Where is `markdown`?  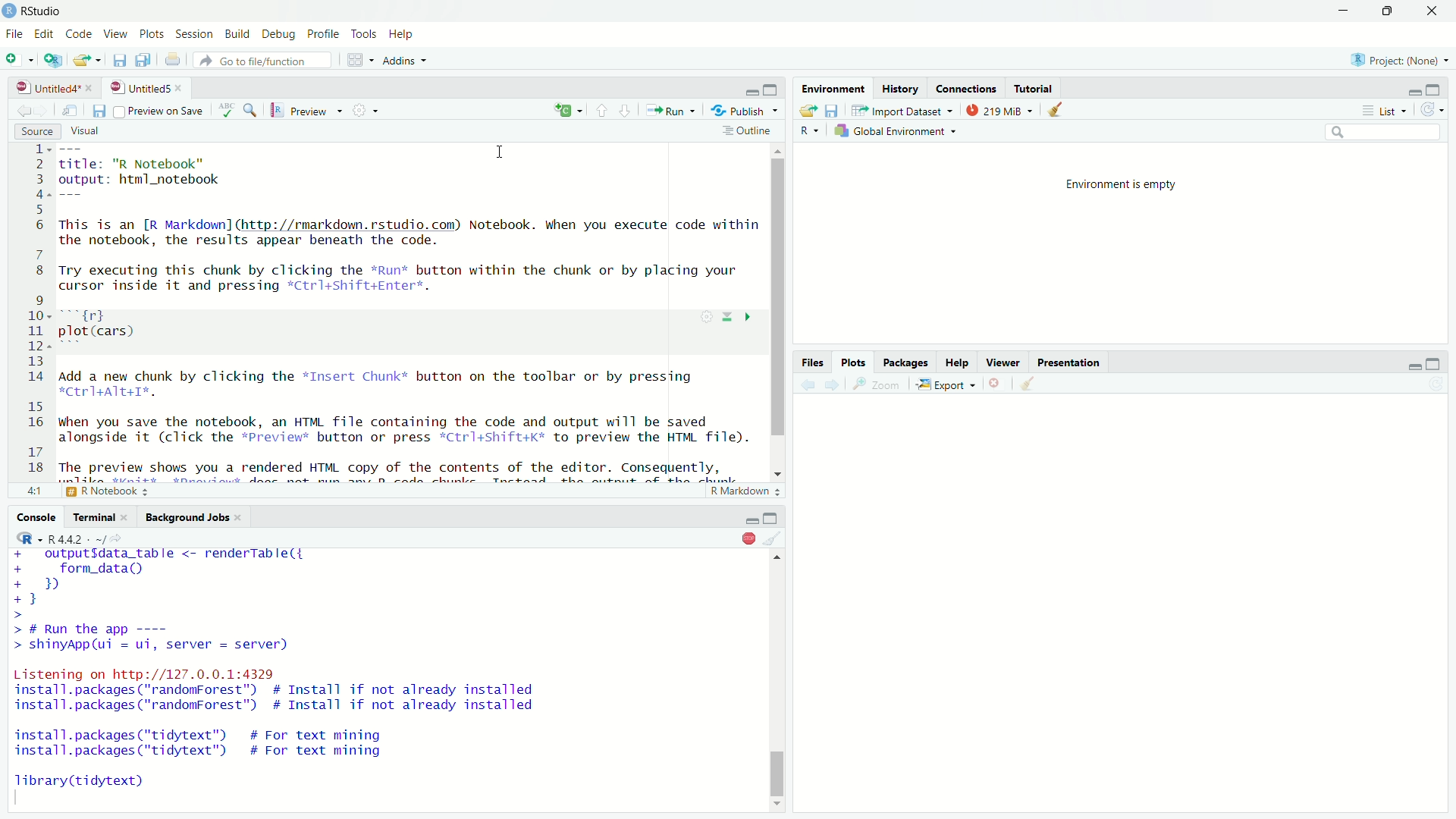 markdown is located at coordinates (740, 491).